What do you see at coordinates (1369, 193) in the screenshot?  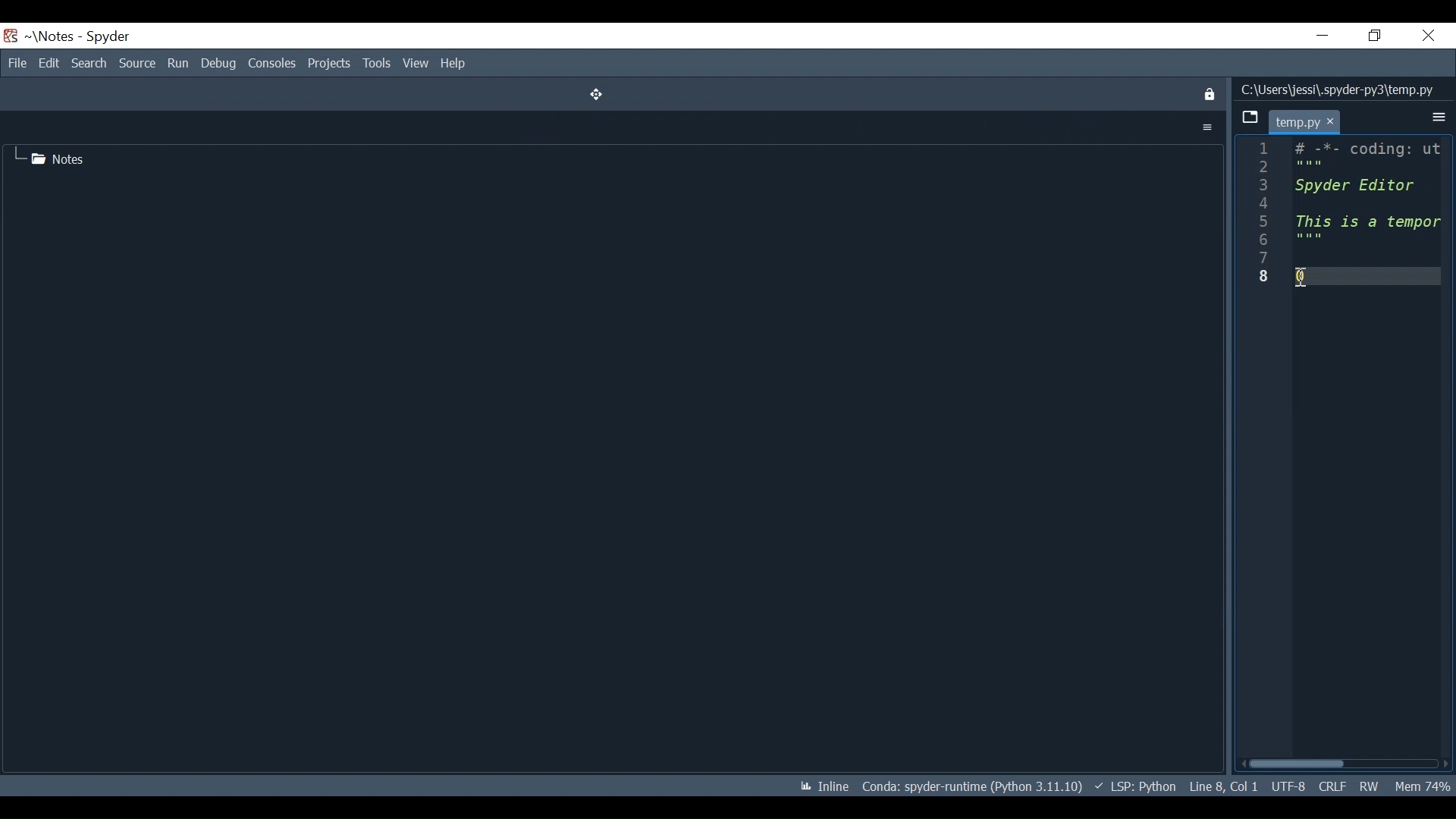 I see `# -*- coding: ut: Spyder Editor This is a tempor` at bounding box center [1369, 193].